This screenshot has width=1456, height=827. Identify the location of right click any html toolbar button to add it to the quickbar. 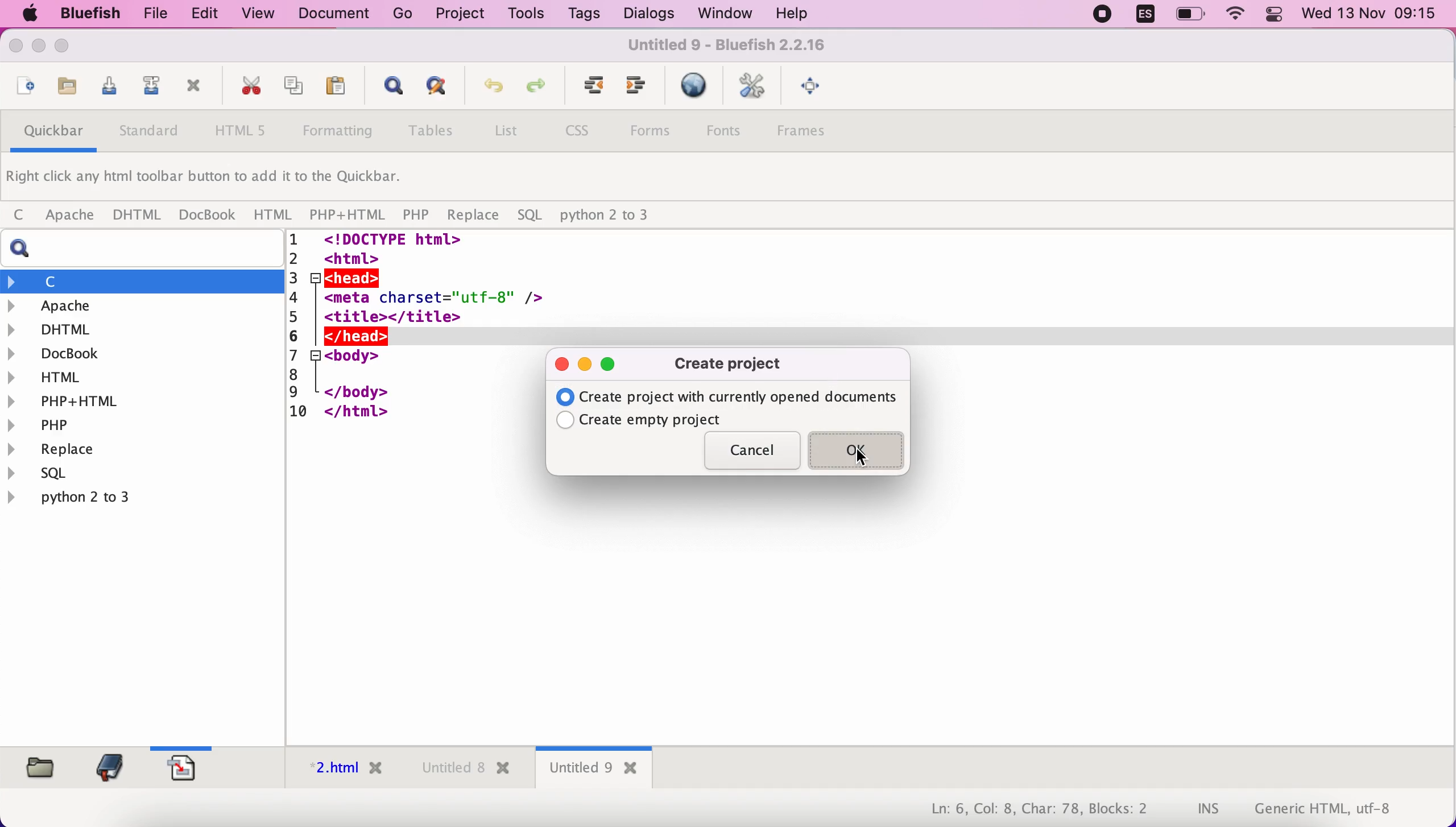
(211, 180).